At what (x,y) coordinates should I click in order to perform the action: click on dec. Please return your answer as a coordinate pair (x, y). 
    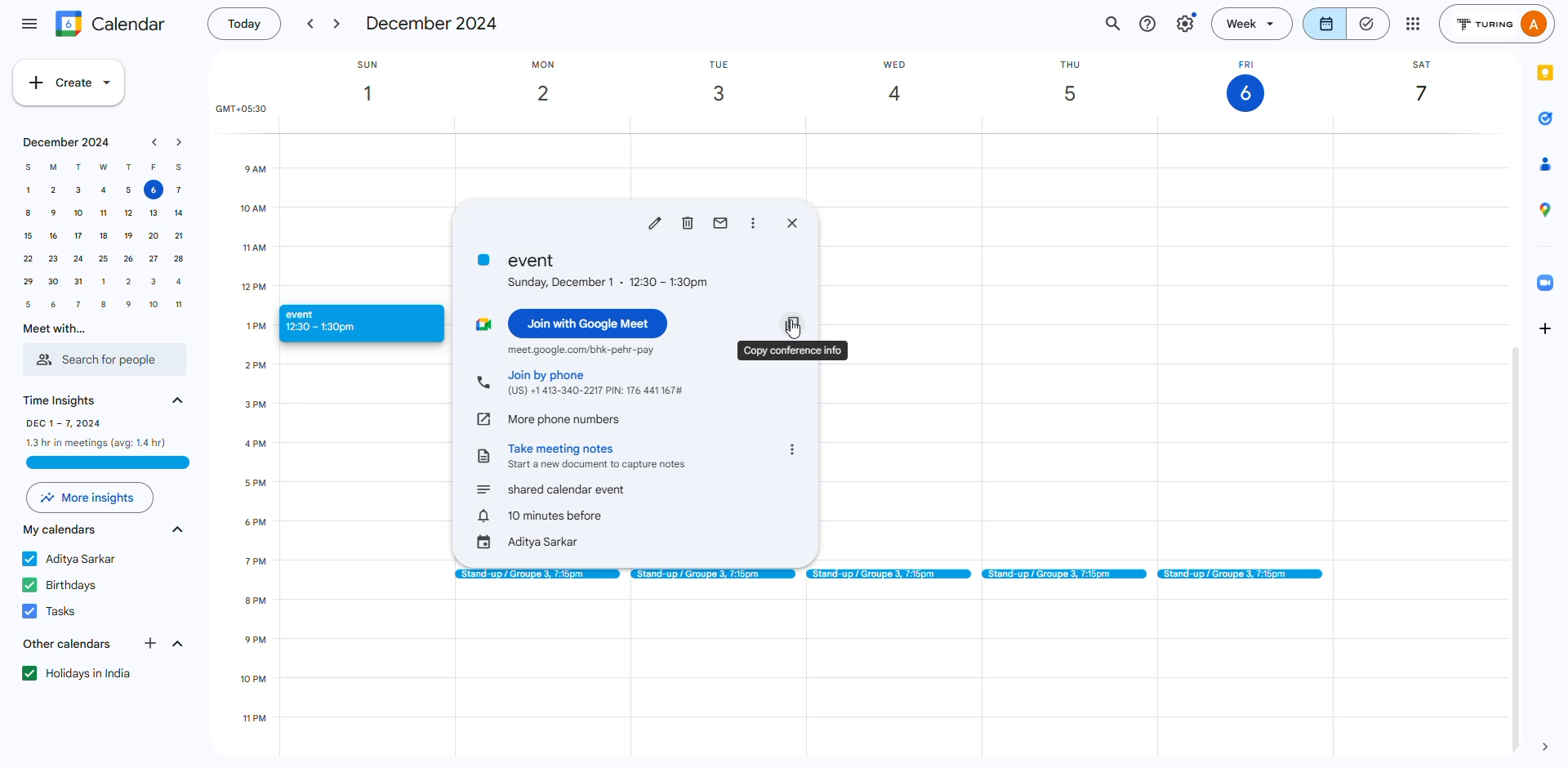
    Looking at the image, I should click on (433, 24).